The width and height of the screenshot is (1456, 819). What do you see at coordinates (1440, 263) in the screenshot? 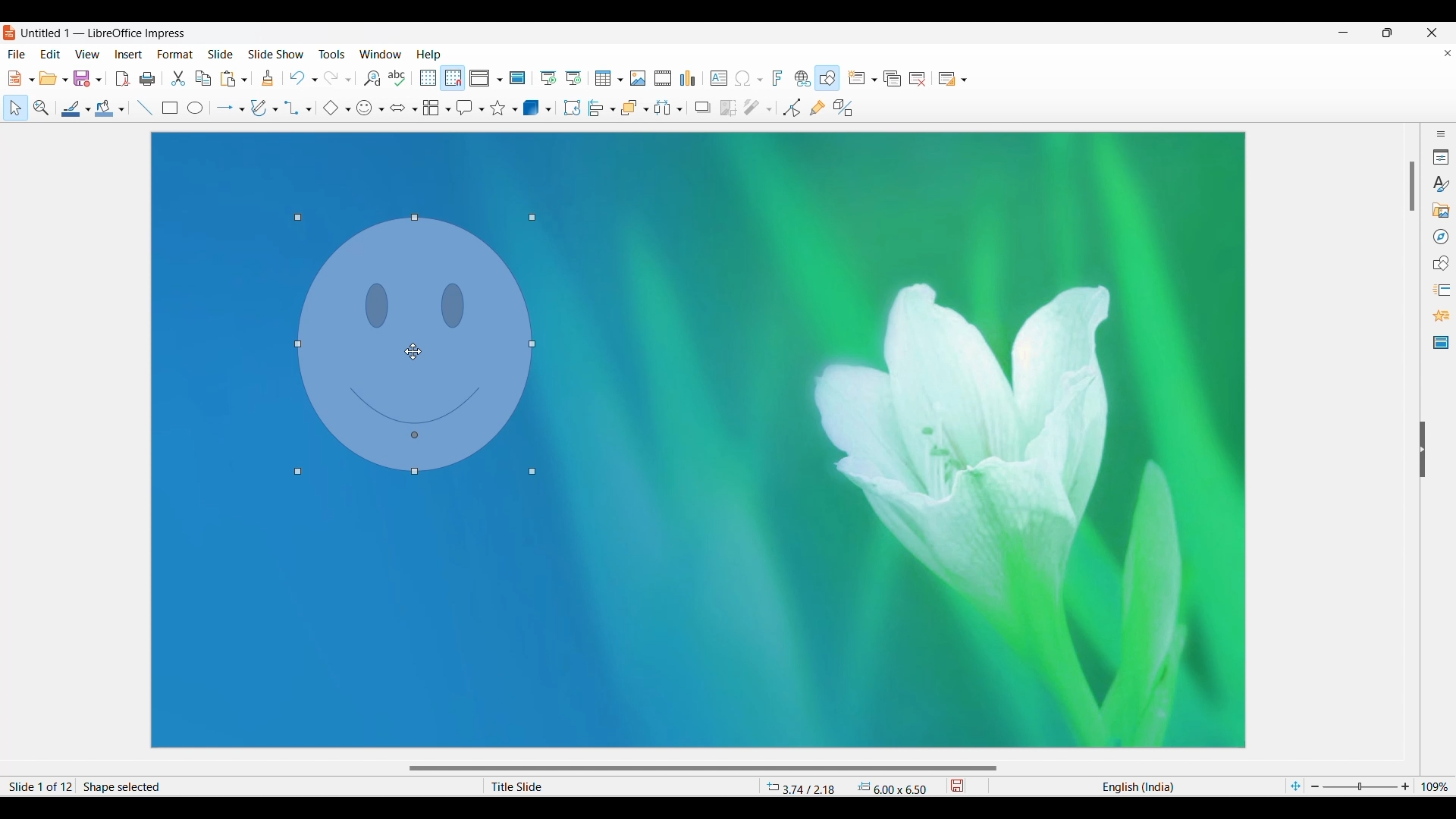
I see `Shapes` at bounding box center [1440, 263].